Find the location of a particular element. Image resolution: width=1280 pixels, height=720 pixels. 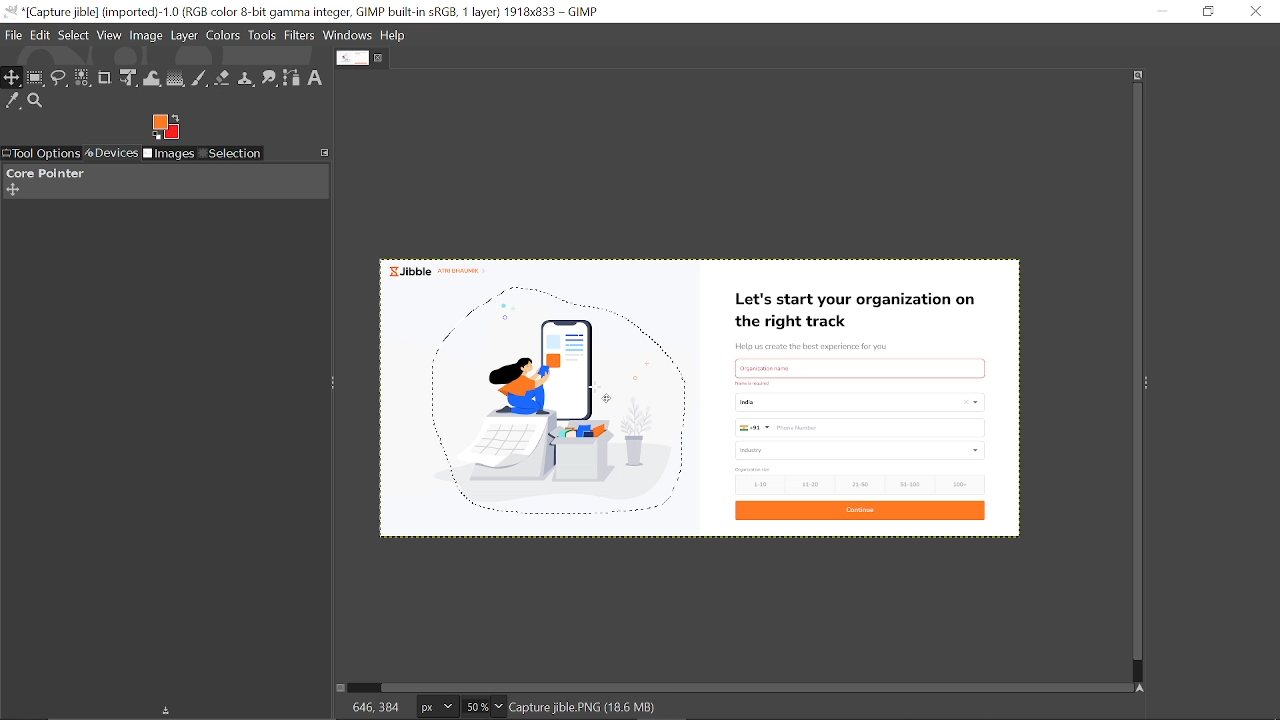

Add is located at coordinates (12, 190).